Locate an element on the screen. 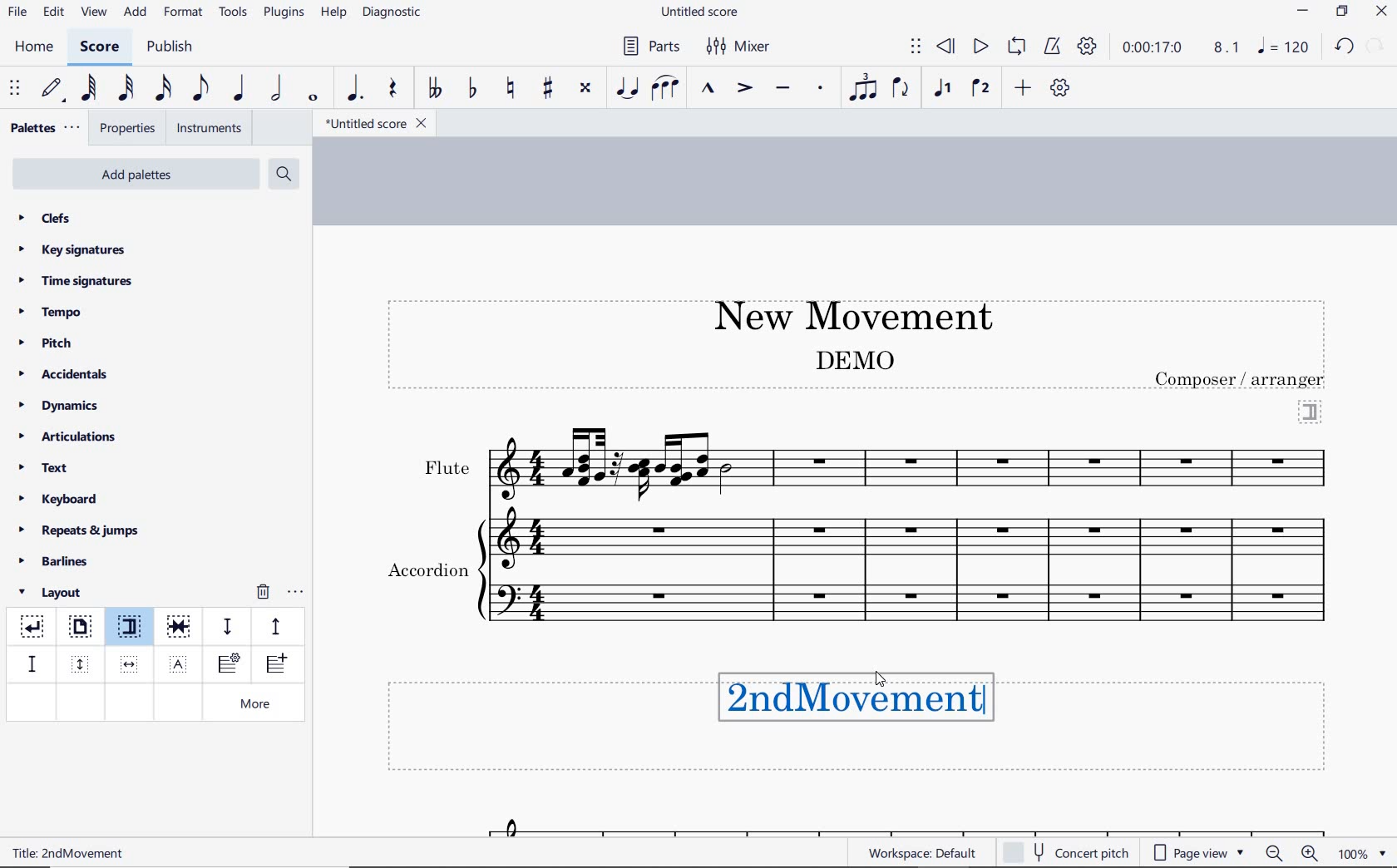 The width and height of the screenshot is (1397, 868). voice 2 is located at coordinates (981, 89).